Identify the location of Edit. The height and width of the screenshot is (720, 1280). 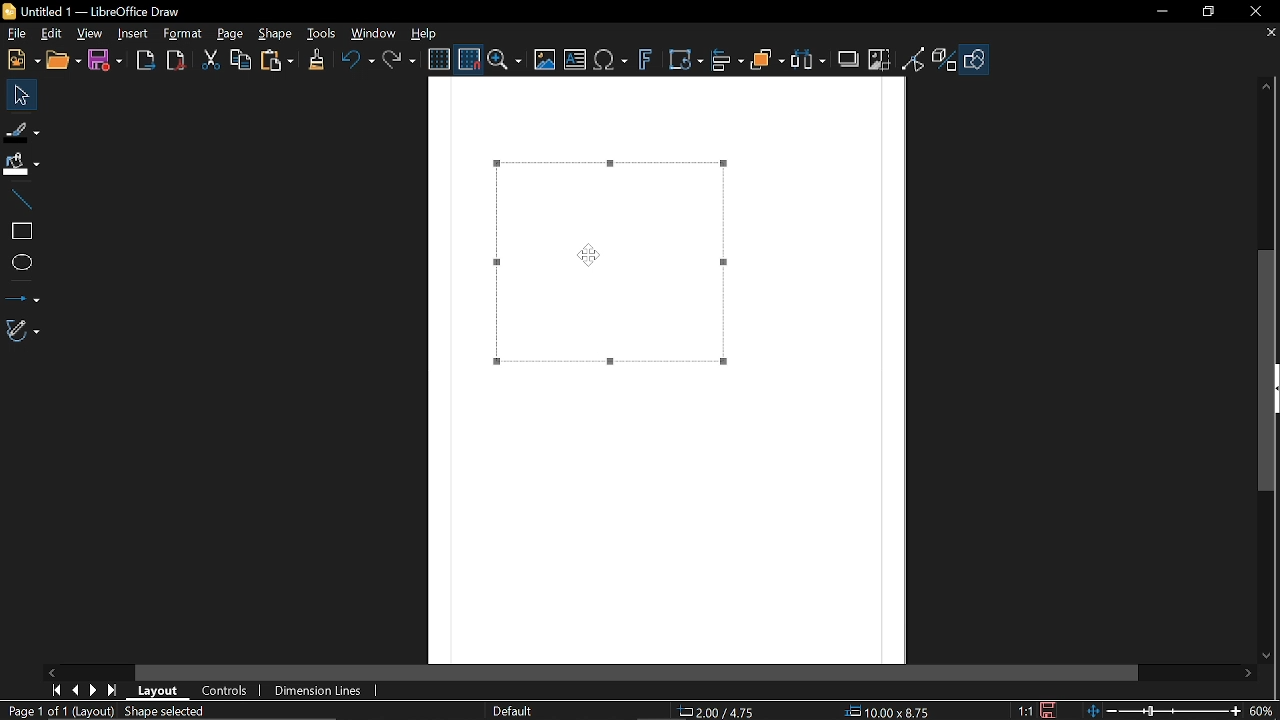
(53, 34).